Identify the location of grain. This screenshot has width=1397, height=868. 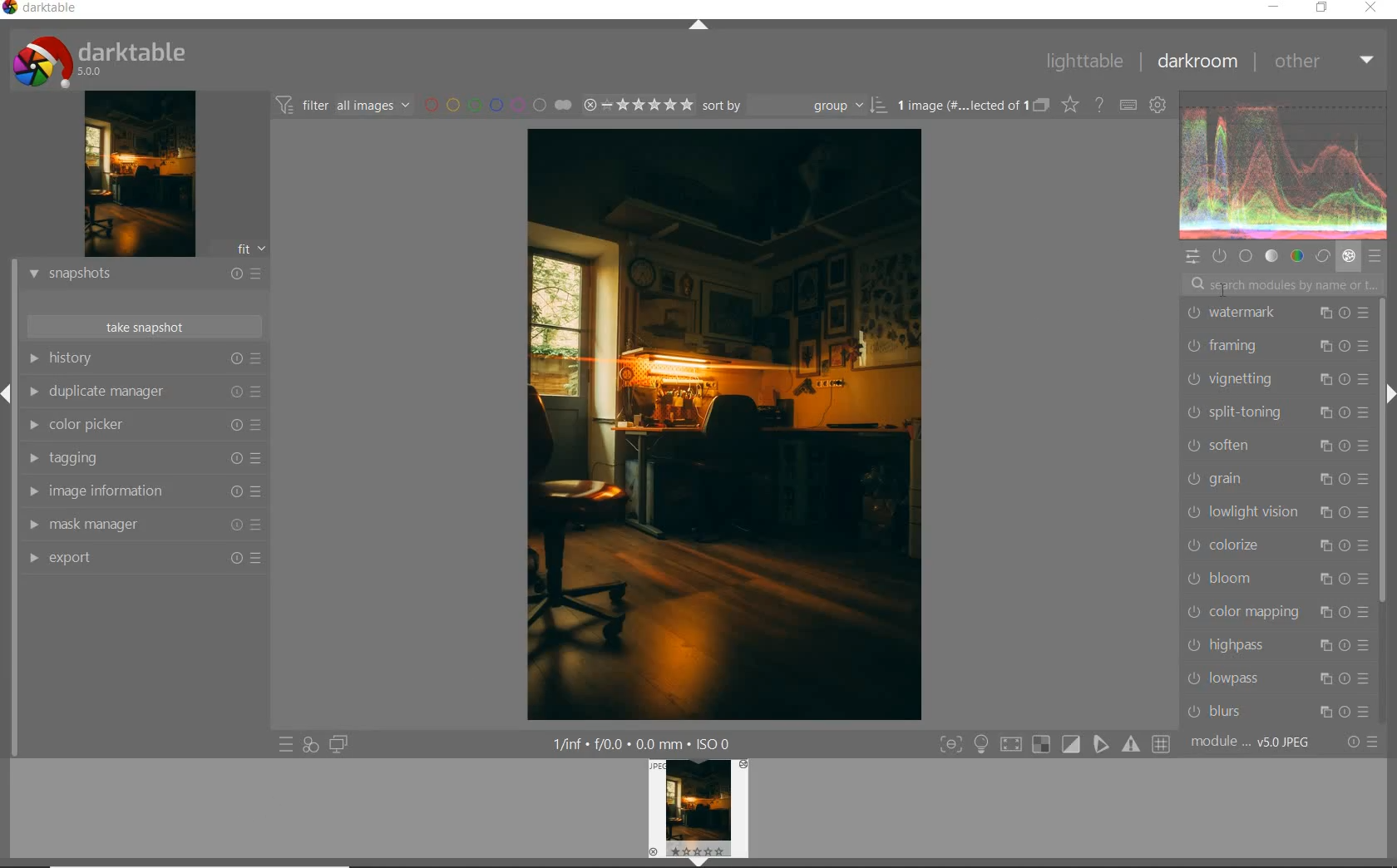
(1276, 479).